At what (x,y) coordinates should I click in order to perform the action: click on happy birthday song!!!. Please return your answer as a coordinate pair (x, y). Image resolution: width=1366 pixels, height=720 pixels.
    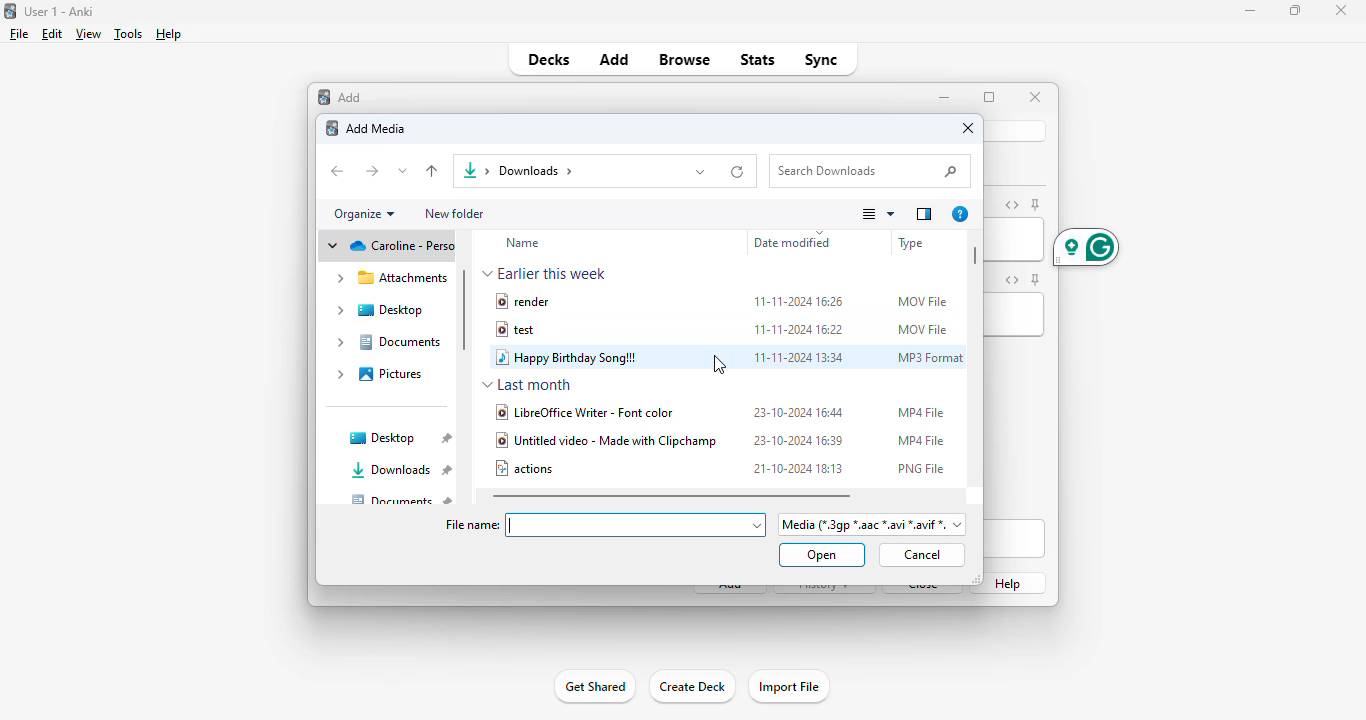
    Looking at the image, I should click on (569, 356).